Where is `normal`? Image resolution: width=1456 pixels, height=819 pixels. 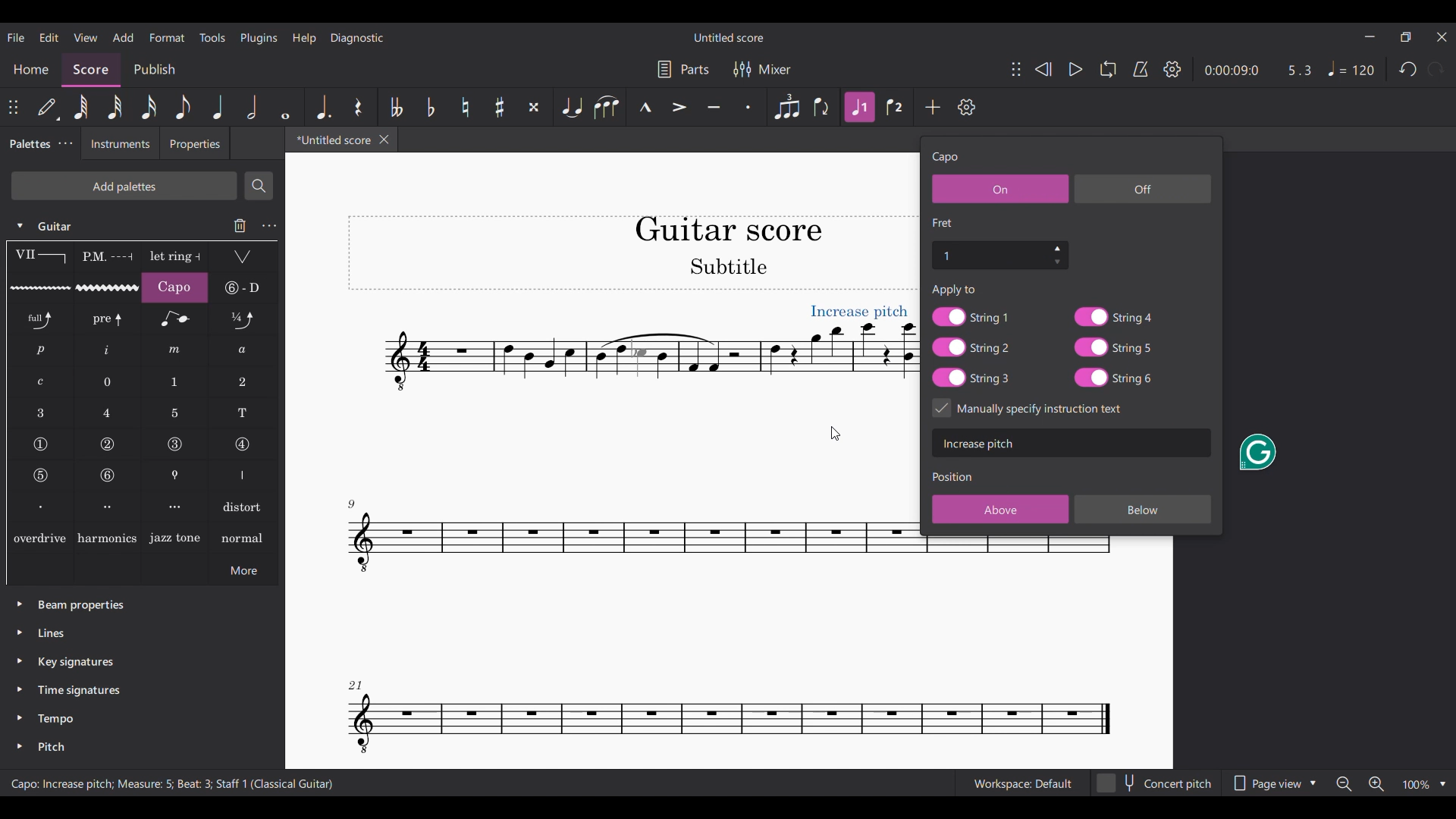 normal is located at coordinates (243, 537).